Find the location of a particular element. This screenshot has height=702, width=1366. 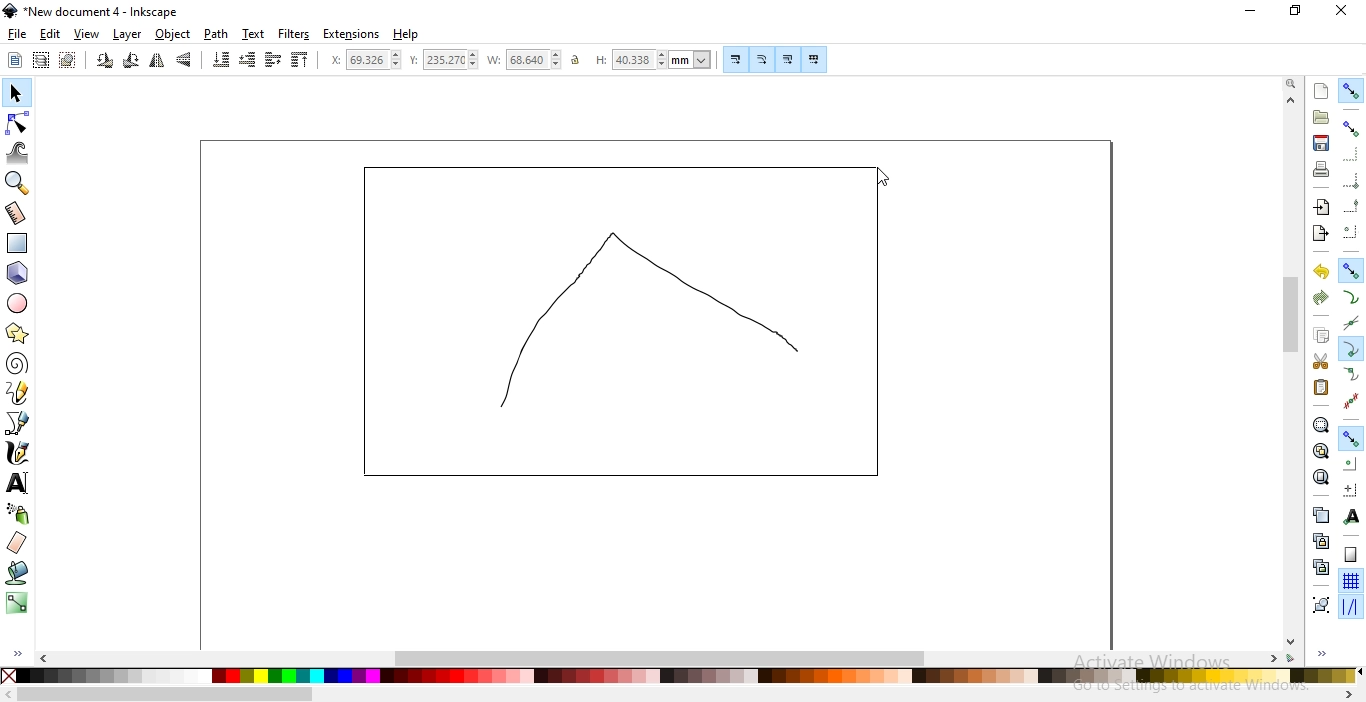

group selected objects is located at coordinates (1321, 604).